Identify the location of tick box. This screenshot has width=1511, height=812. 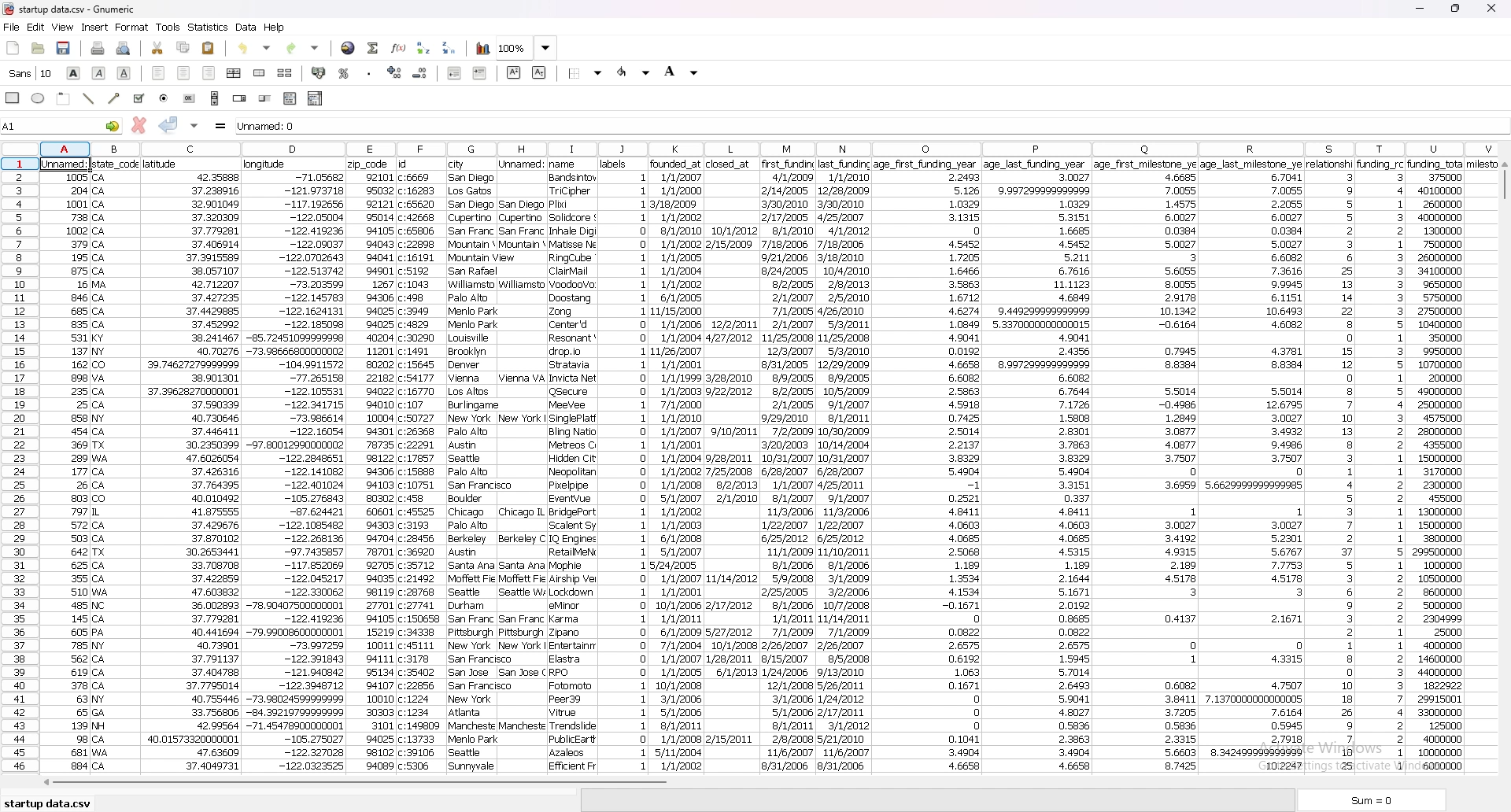
(139, 98).